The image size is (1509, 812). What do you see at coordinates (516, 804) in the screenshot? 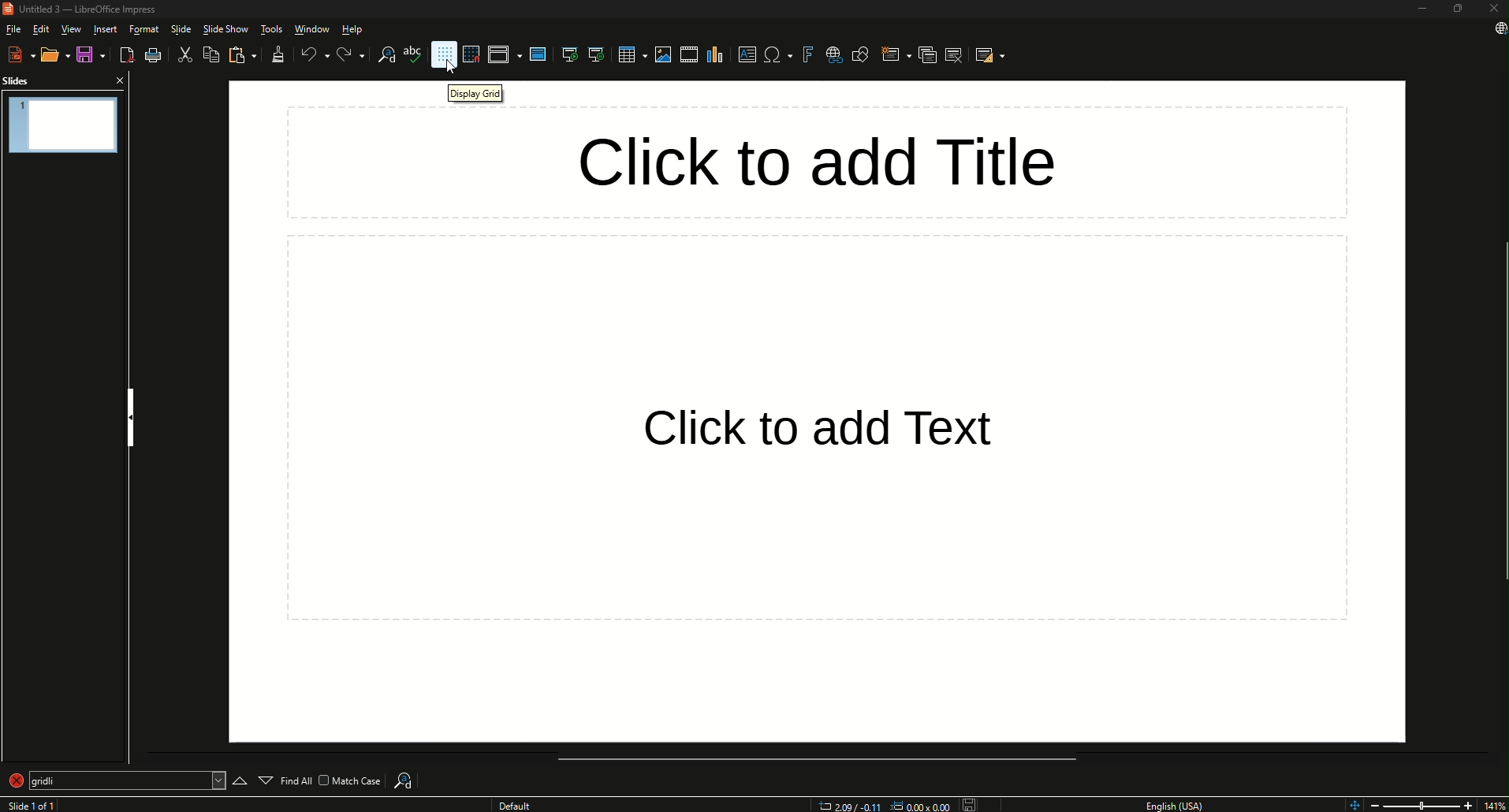
I see `Default` at bounding box center [516, 804].